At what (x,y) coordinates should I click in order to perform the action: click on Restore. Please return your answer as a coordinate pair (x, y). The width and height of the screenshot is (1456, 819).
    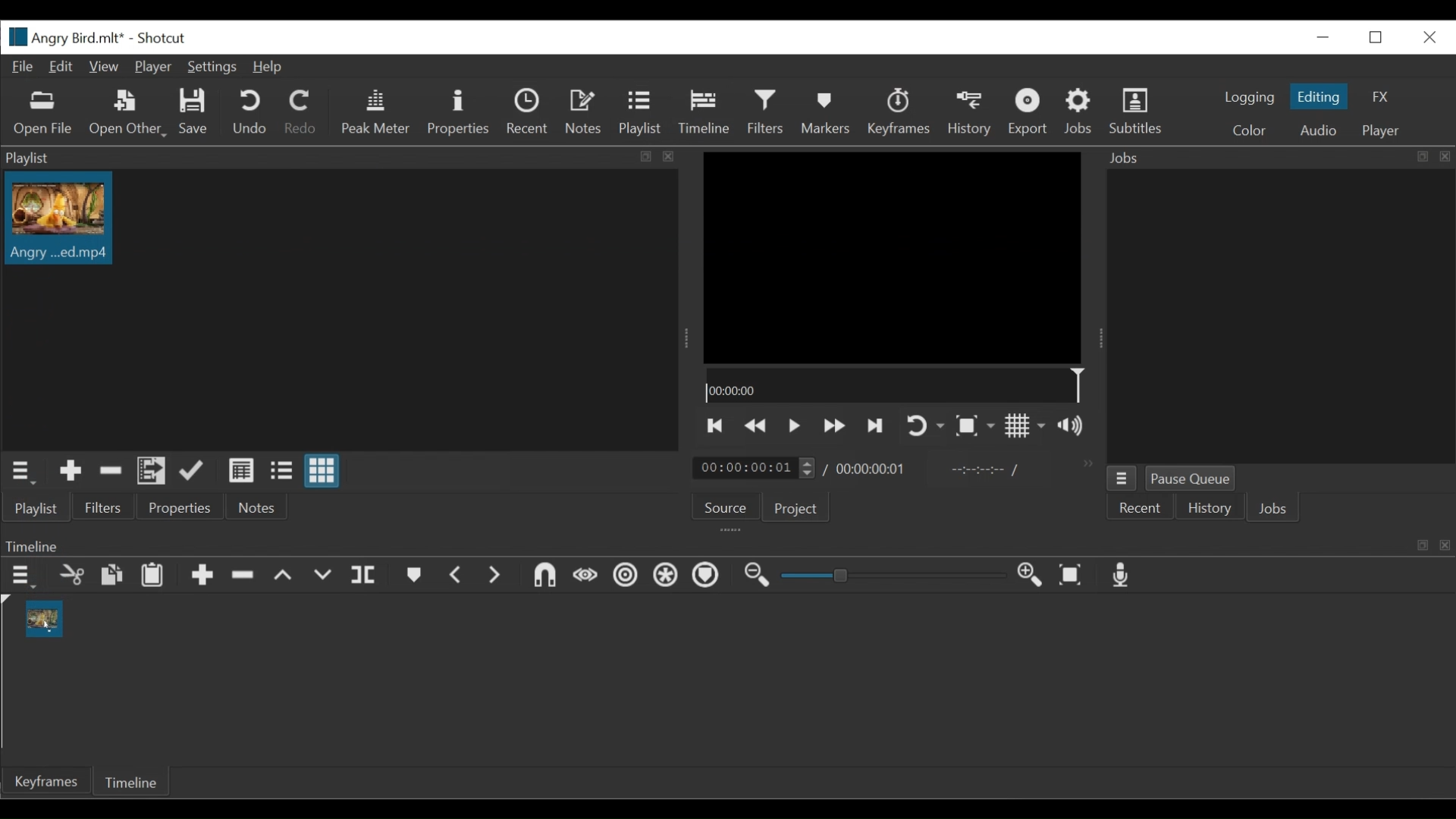
    Looking at the image, I should click on (1375, 37).